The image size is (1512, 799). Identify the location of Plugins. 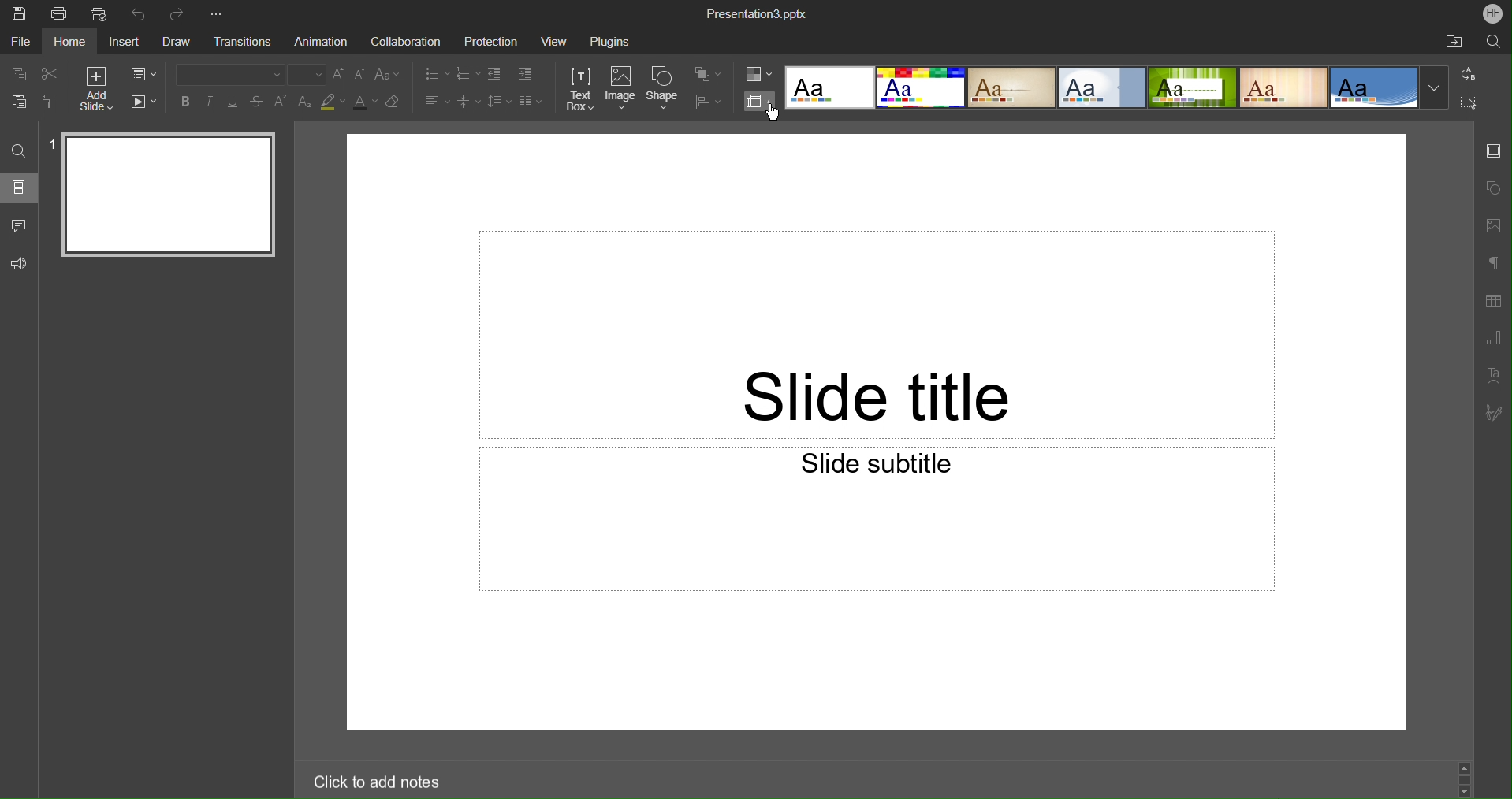
(609, 43).